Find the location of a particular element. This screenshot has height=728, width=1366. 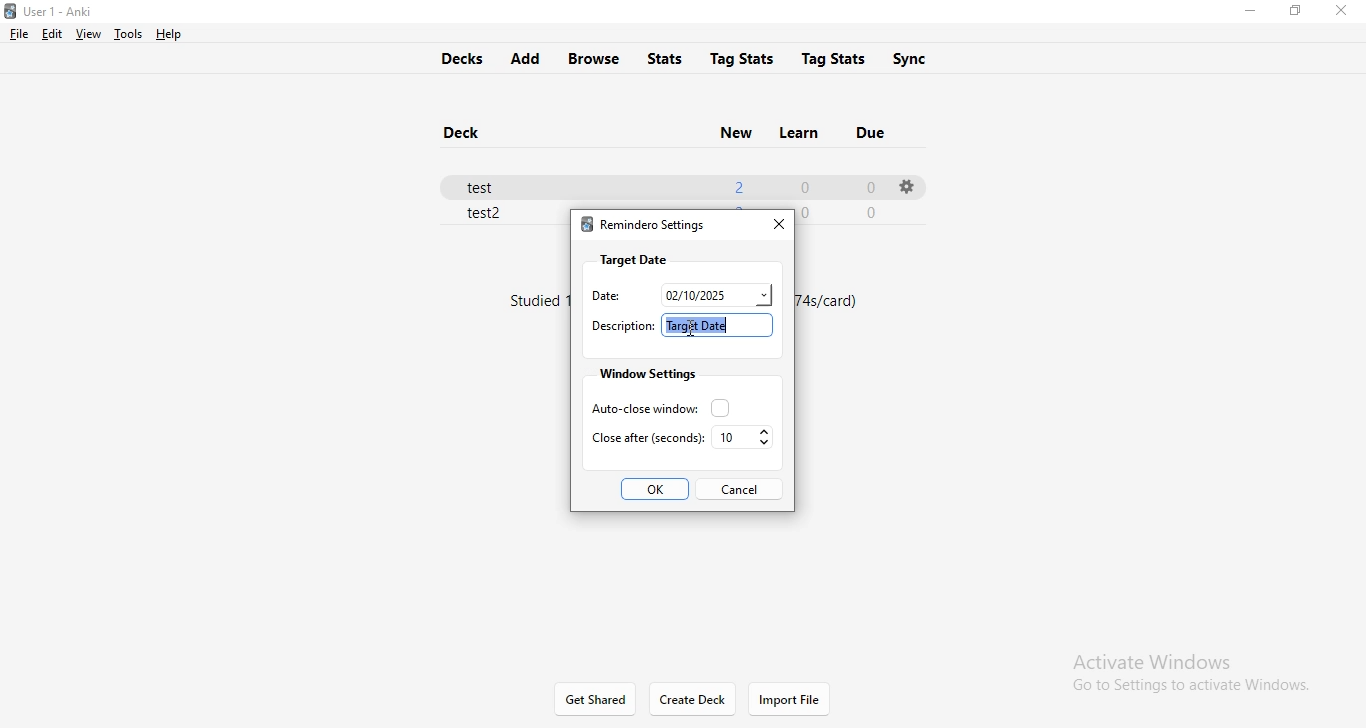

target date higlighted is located at coordinates (720, 325).